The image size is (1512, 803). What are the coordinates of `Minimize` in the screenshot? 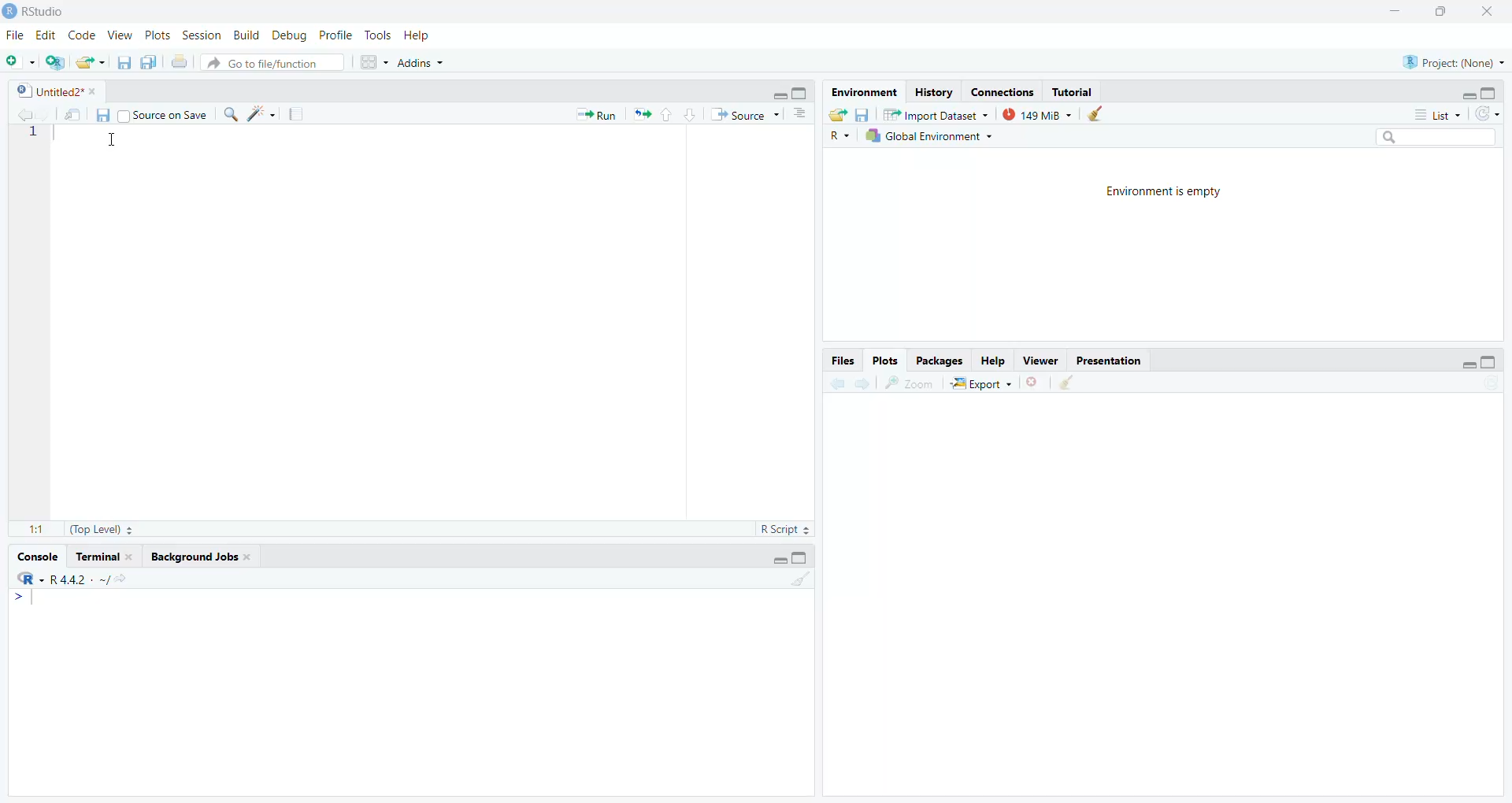 It's located at (1465, 364).